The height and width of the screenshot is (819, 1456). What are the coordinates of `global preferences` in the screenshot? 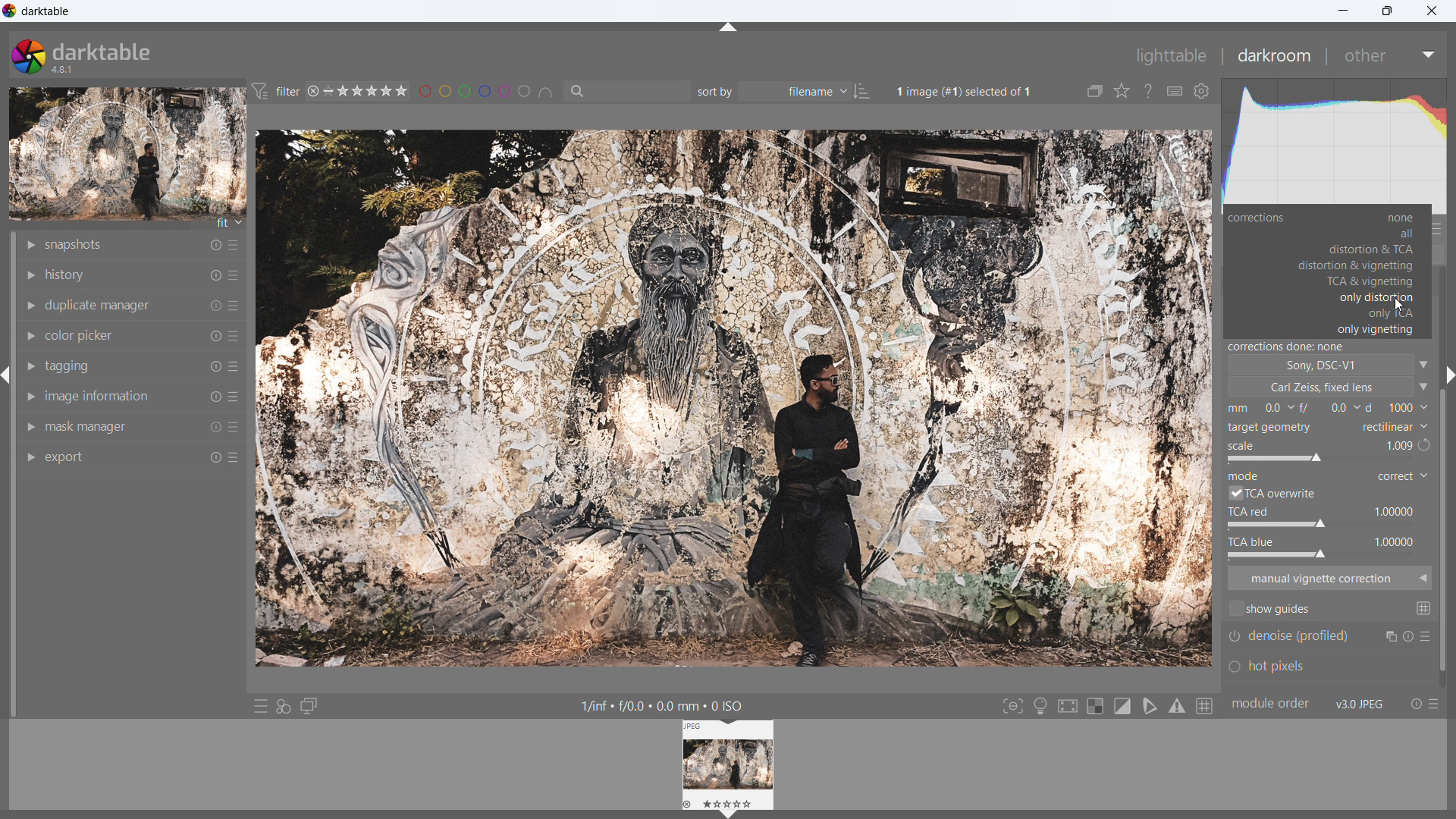 It's located at (1202, 91).